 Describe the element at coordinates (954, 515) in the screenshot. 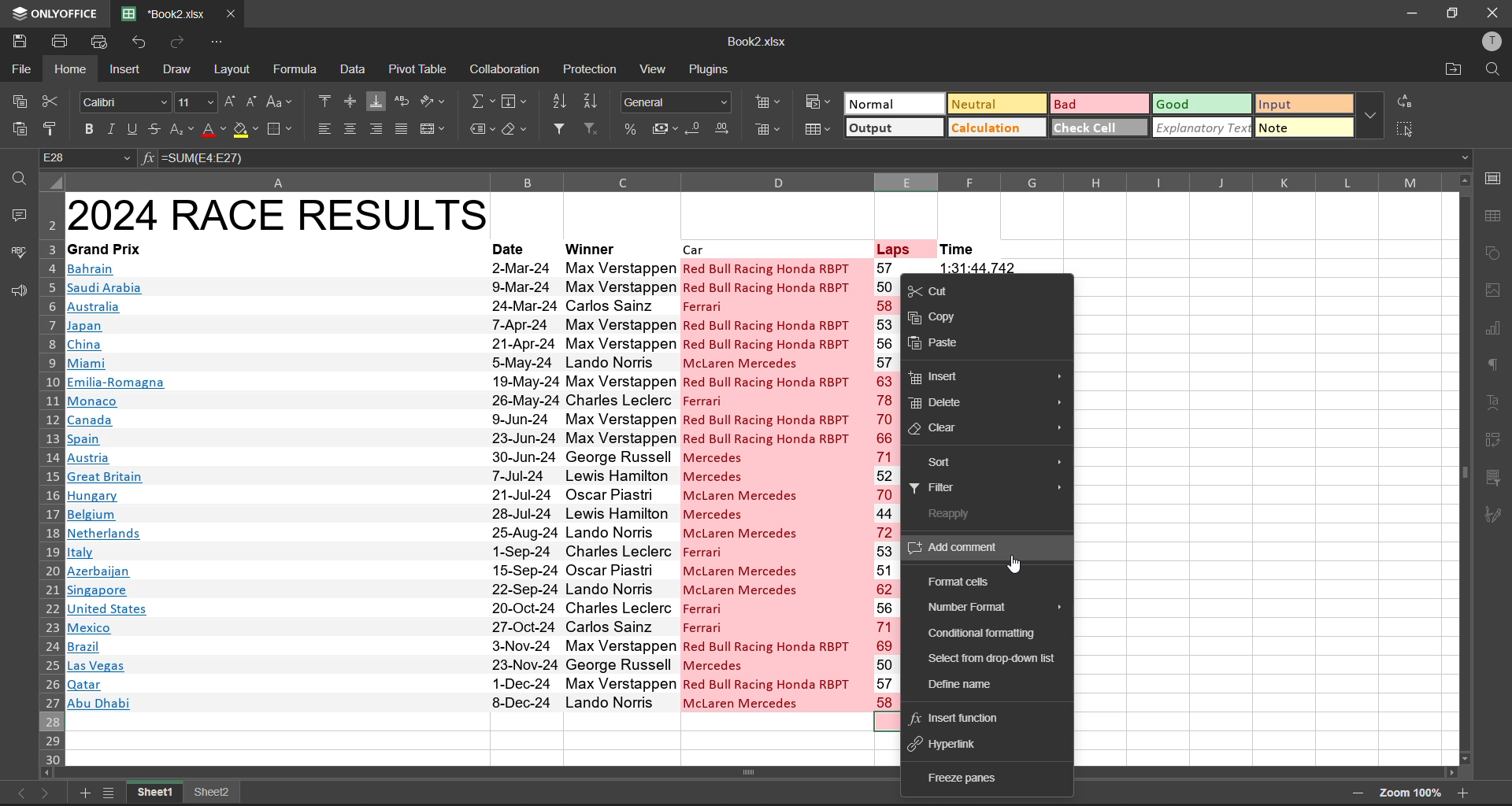

I see `reapply` at that location.